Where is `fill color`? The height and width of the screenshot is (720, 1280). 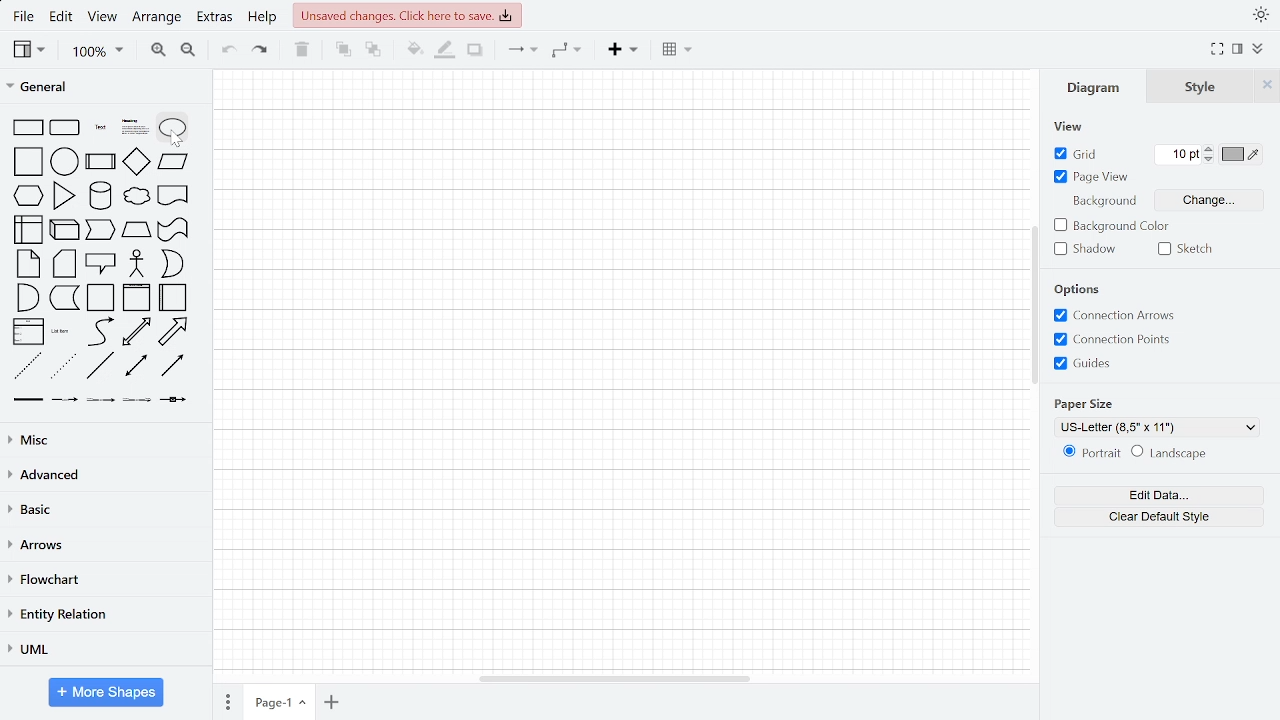 fill color is located at coordinates (414, 52).